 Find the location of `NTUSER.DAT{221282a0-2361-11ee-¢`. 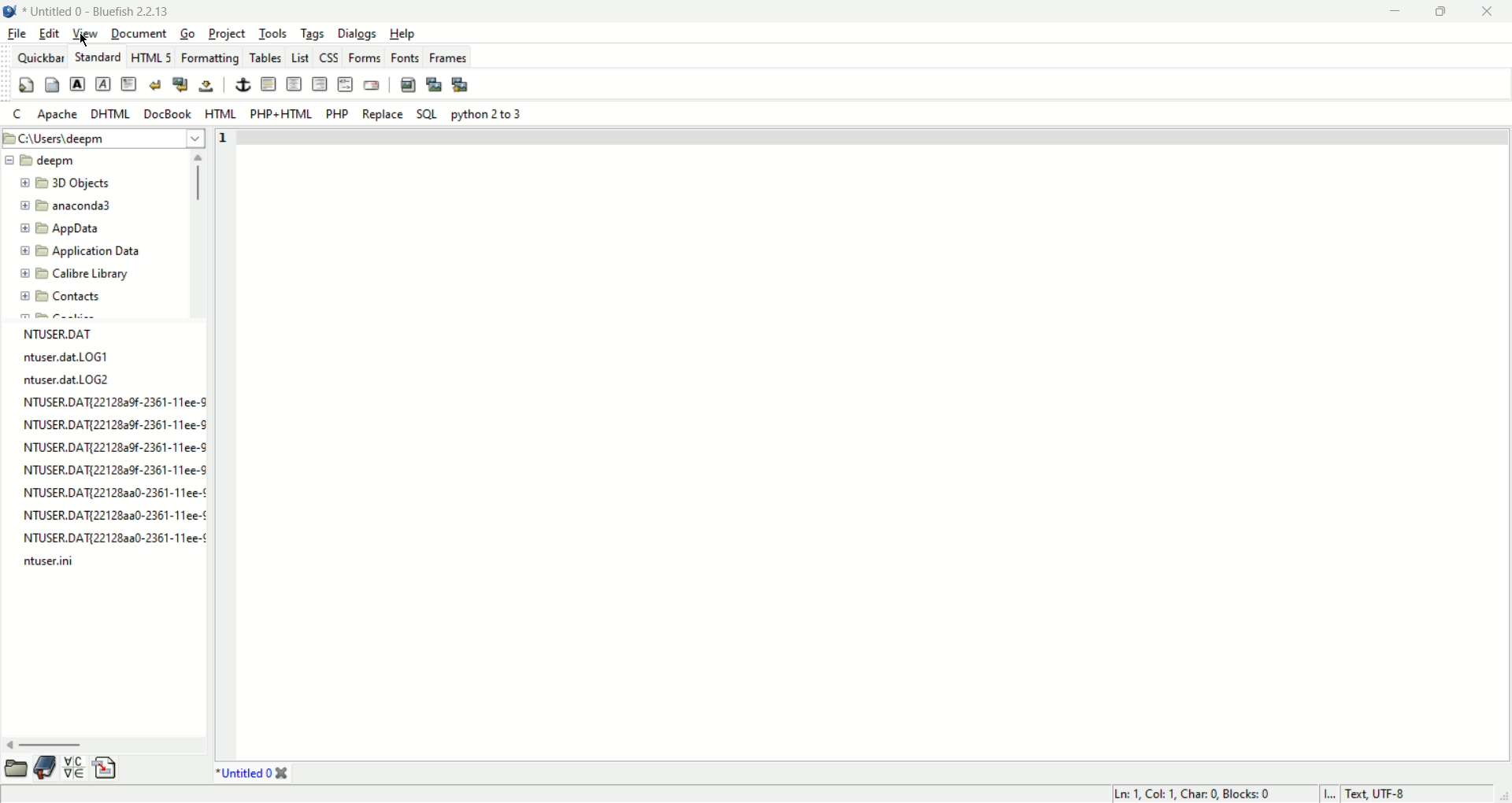

NTUSER.DAT{221282a0-2361-11ee-¢ is located at coordinates (113, 490).